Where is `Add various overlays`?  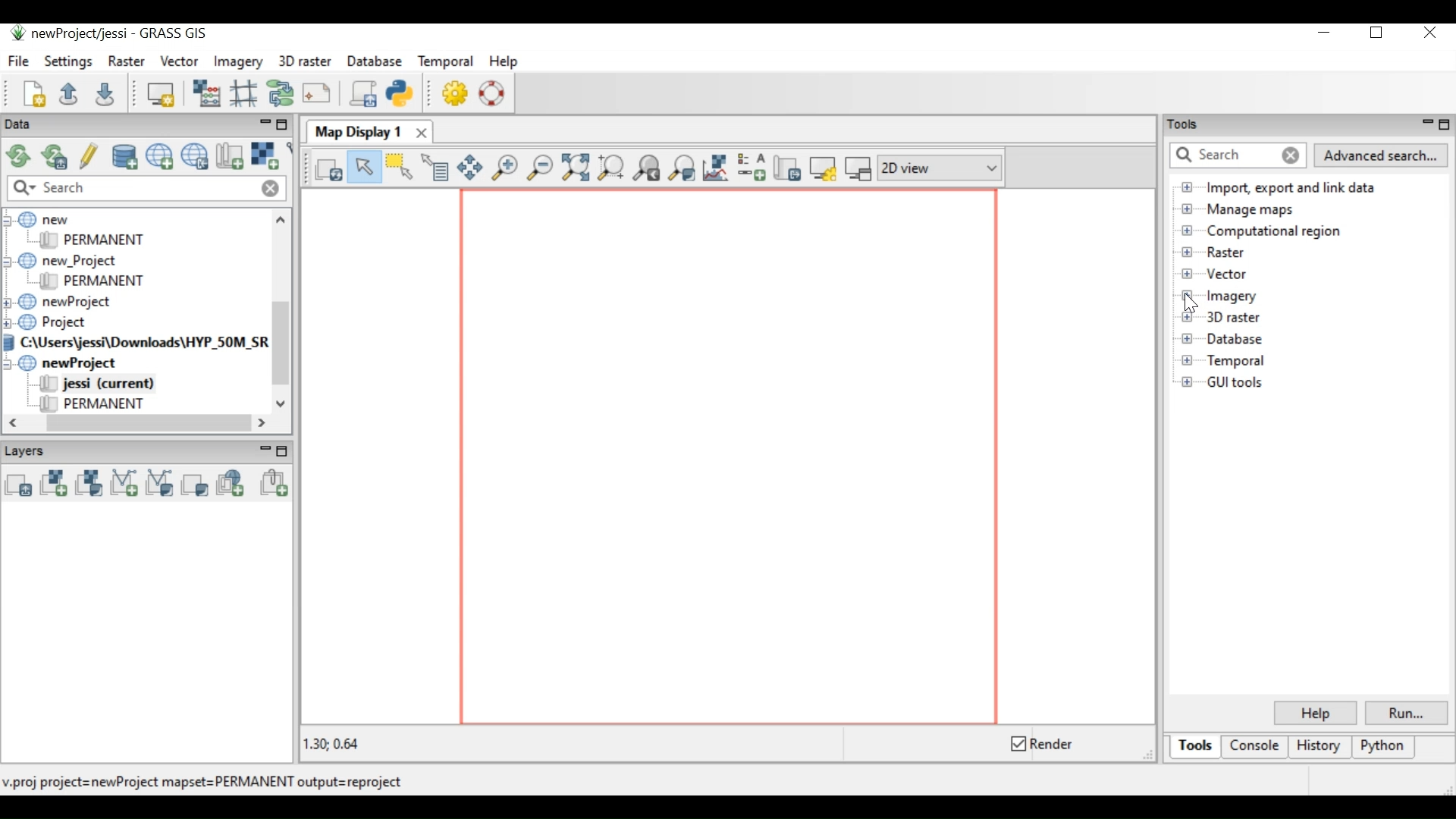
Add various overlays is located at coordinates (195, 484).